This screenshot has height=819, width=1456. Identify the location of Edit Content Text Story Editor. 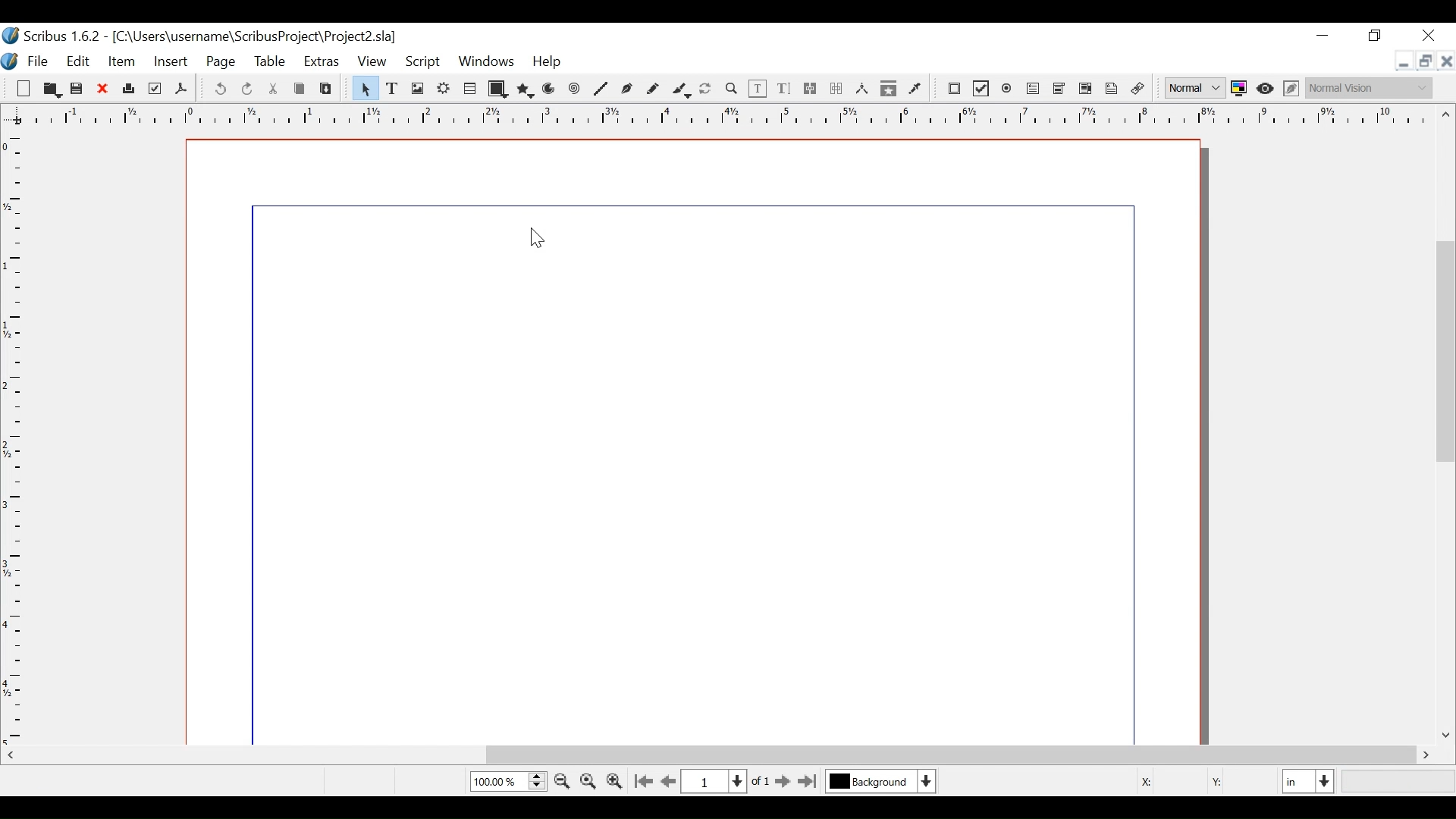
(783, 89).